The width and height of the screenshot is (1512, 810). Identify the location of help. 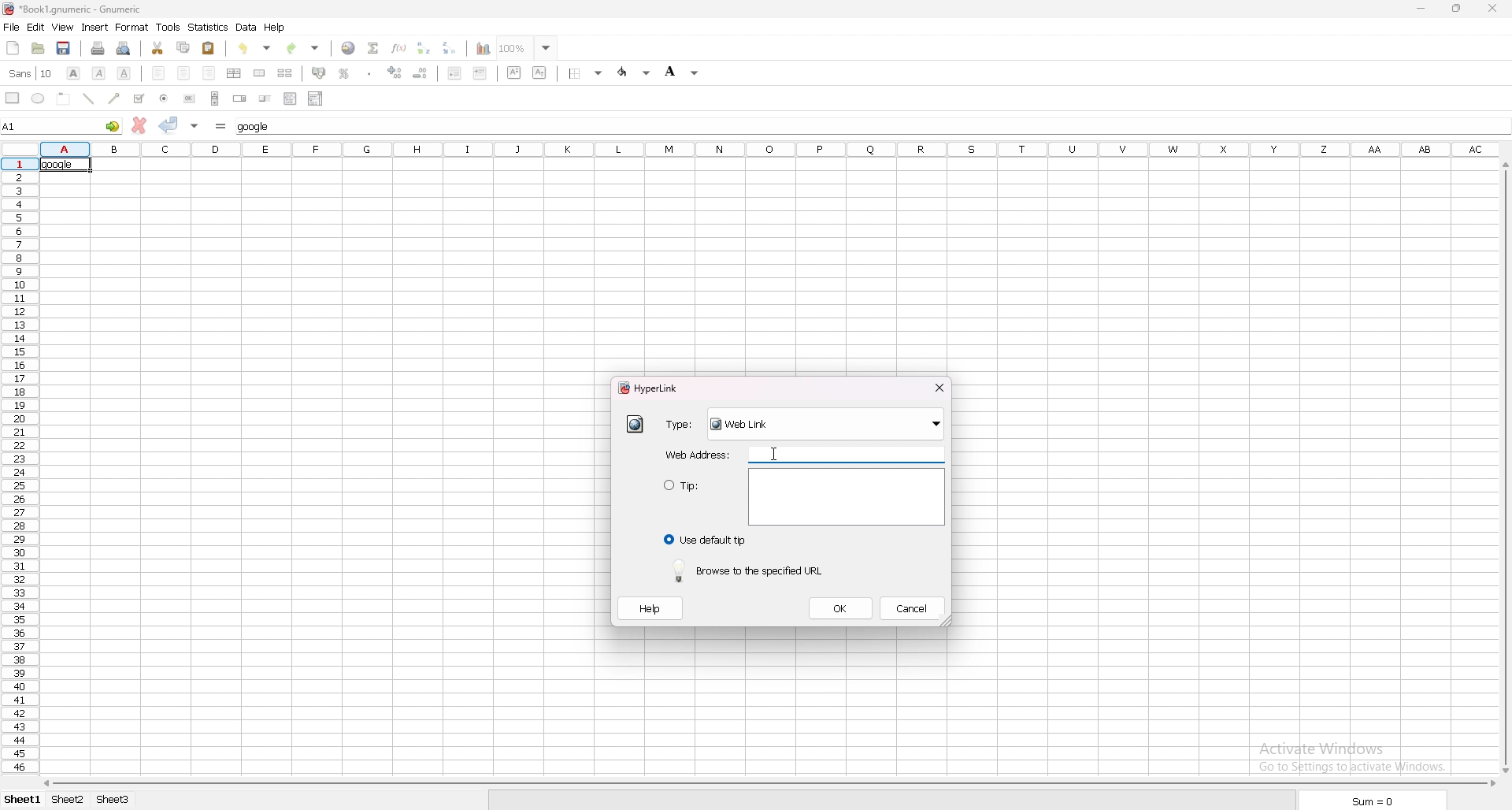
(276, 27).